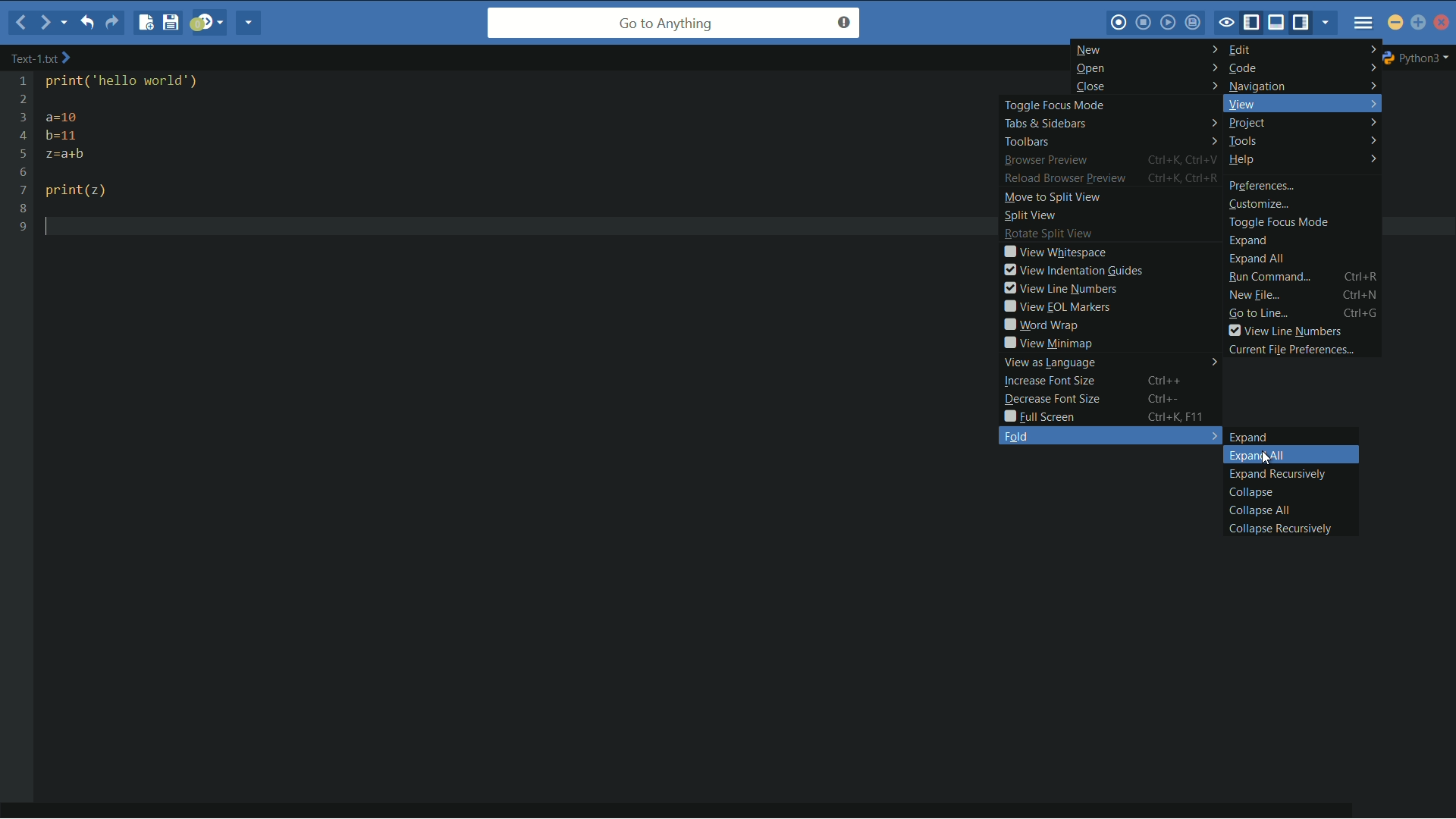 Image resolution: width=1456 pixels, height=819 pixels. Describe the element at coordinates (1304, 50) in the screenshot. I see `edit` at that location.